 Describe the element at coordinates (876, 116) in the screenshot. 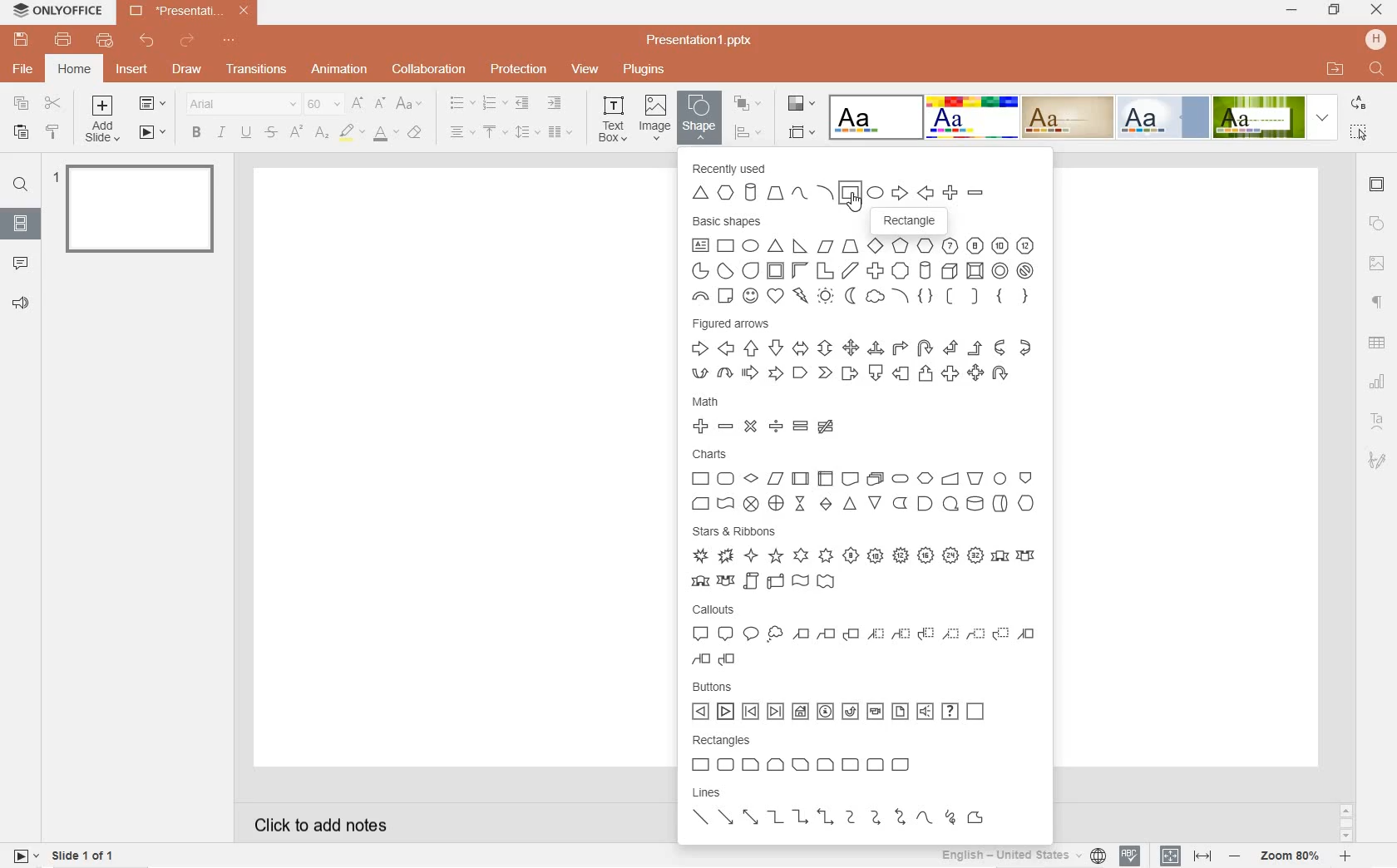

I see `Blank` at that location.